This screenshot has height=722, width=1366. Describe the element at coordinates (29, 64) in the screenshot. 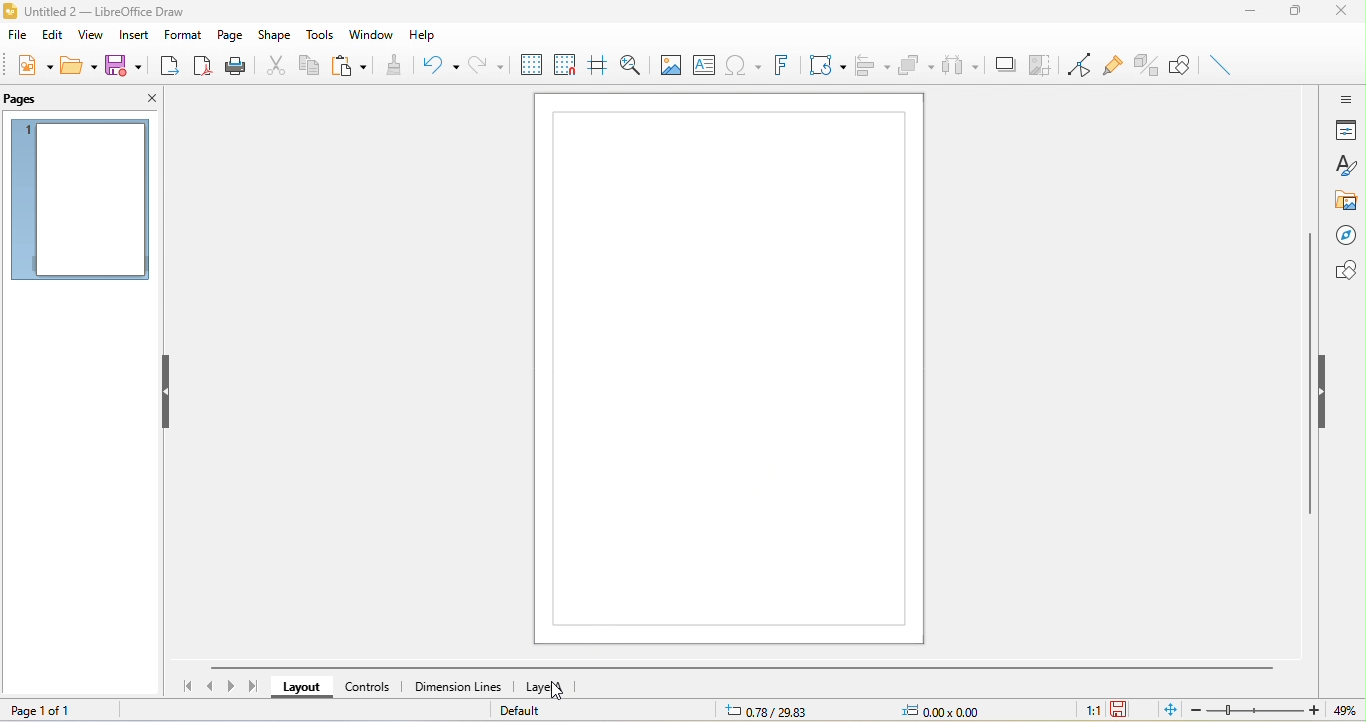

I see `new` at that location.